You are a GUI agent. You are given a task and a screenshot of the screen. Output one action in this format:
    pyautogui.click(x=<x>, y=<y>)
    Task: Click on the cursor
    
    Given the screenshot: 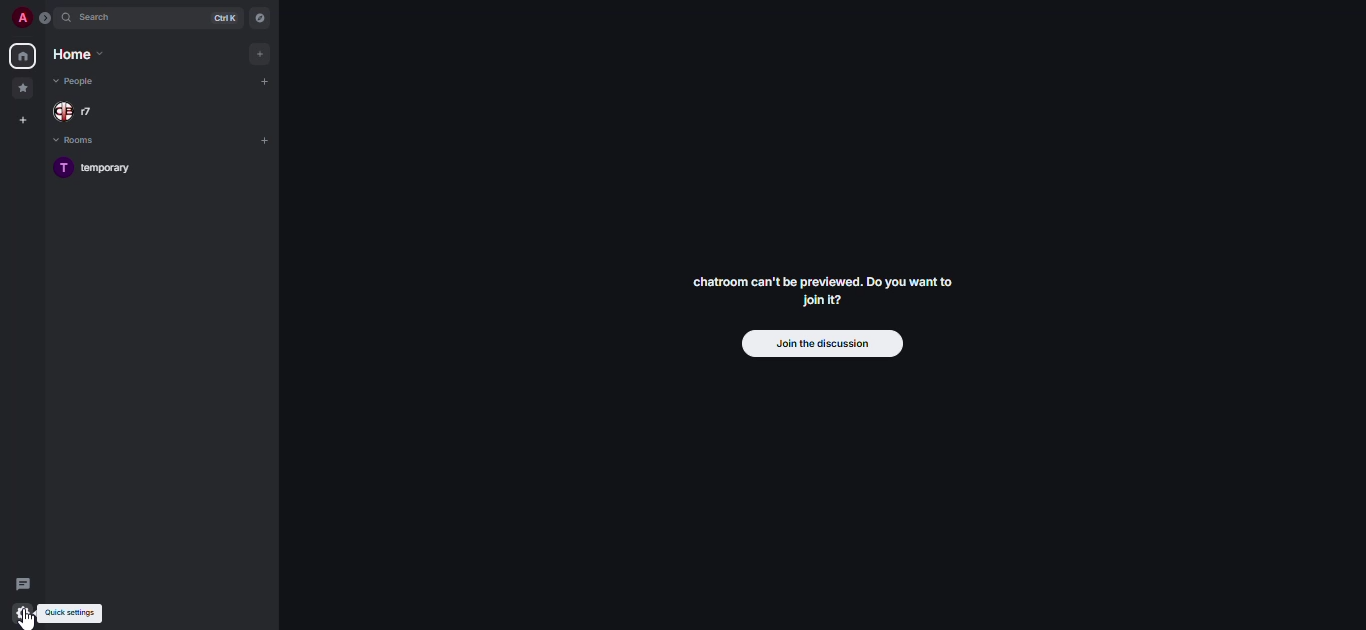 What is the action you would take?
    pyautogui.click(x=31, y=621)
    